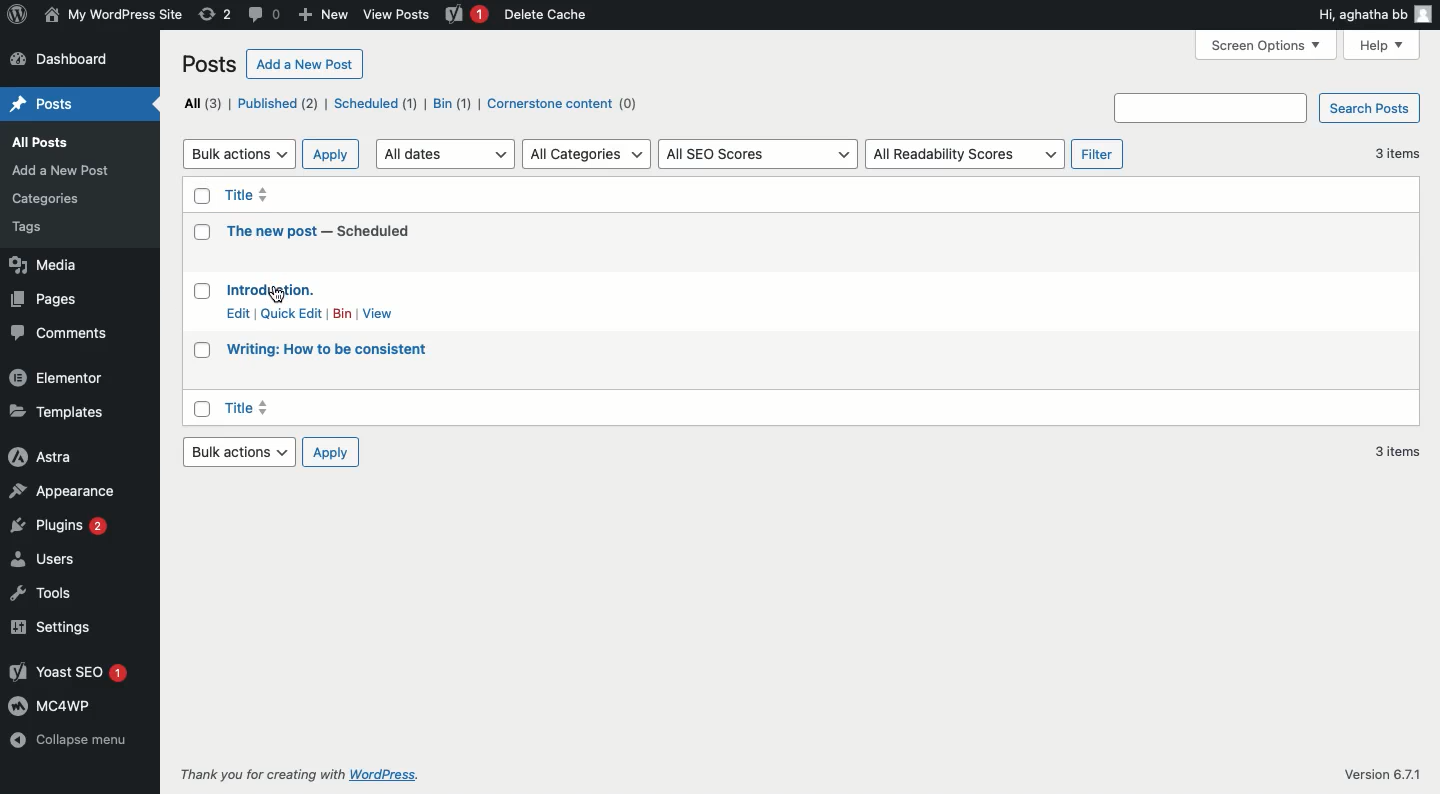 This screenshot has height=794, width=1440. I want to click on Dashboard, so click(71, 58).